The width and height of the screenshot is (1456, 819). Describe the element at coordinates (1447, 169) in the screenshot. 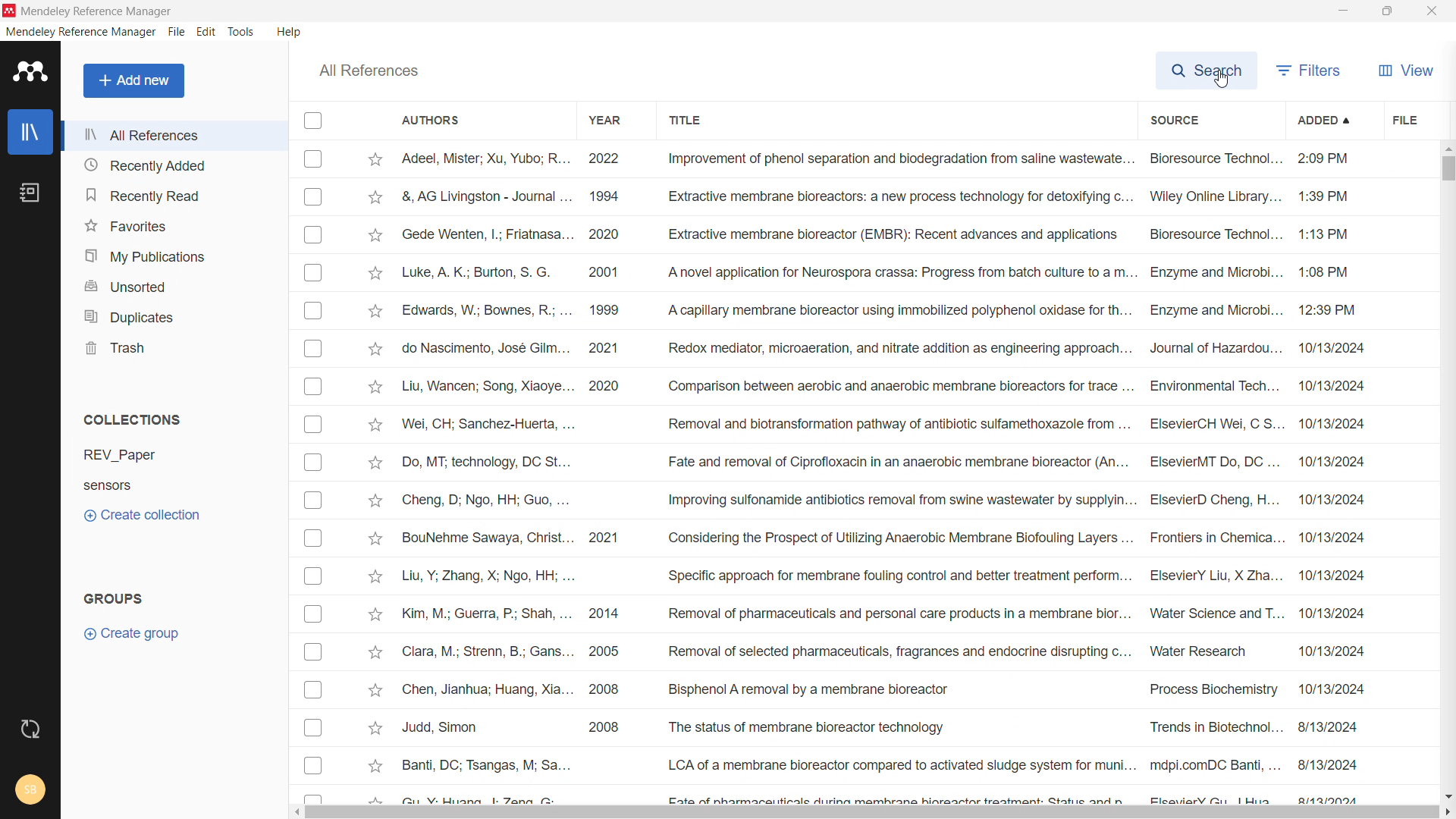

I see `vertical scrollbar` at that location.